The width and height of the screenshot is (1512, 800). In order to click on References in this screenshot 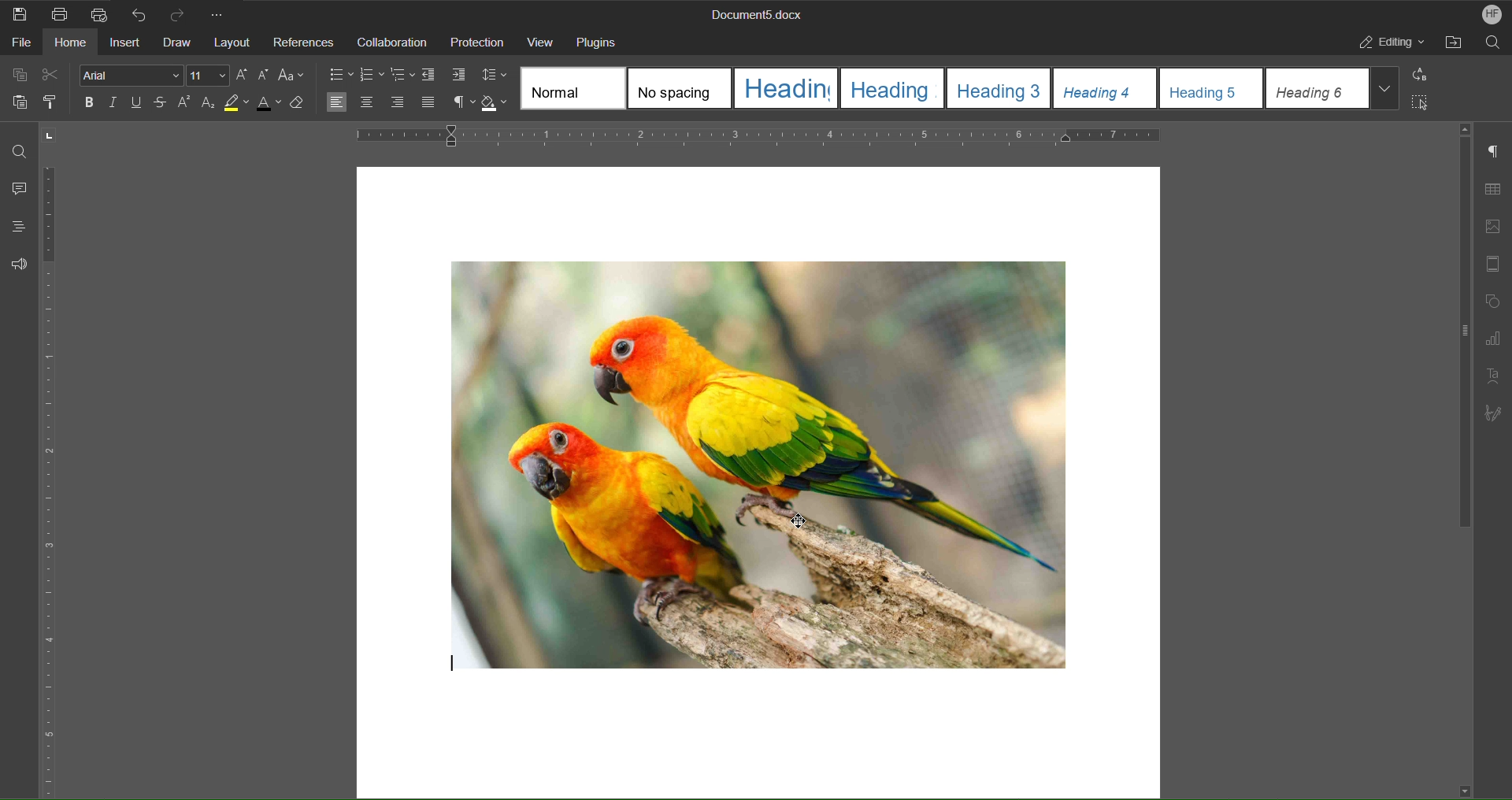, I will do `click(303, 43)`.